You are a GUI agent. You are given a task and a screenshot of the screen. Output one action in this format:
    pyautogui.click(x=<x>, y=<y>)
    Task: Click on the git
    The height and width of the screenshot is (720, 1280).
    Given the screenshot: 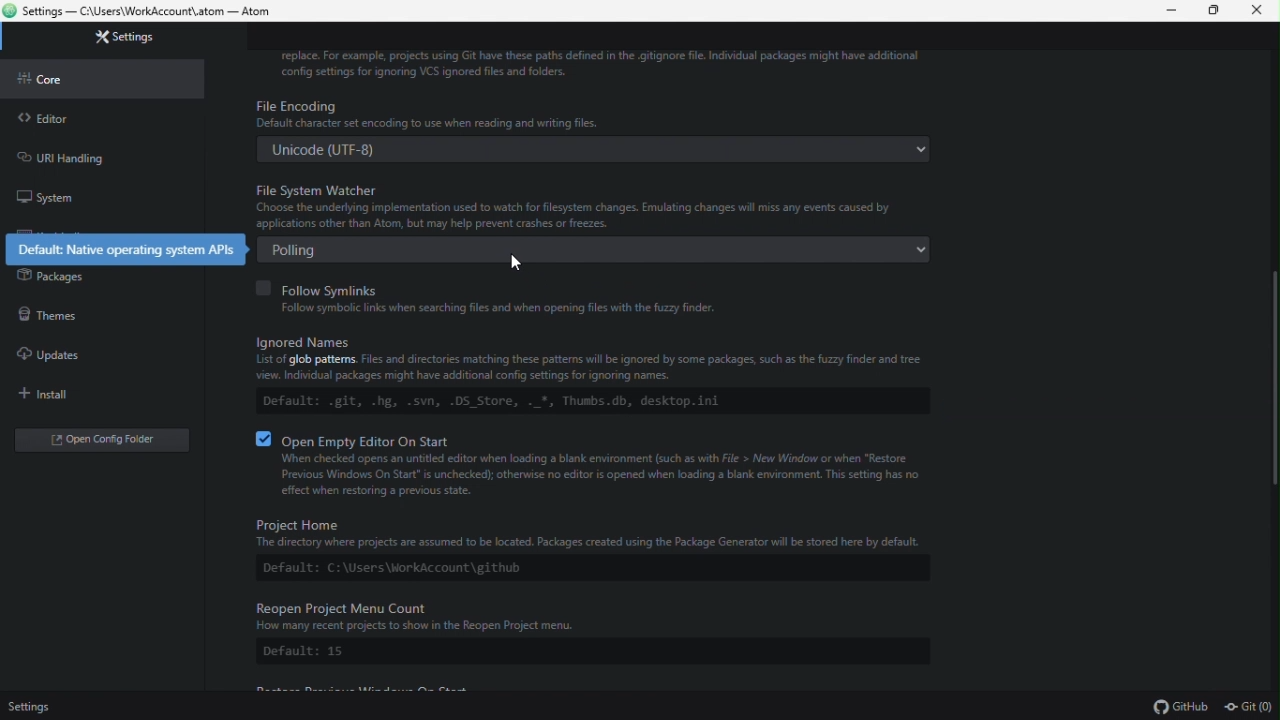 What is the action you would take?
    pyautogui.click(x=1249, y=708)
    